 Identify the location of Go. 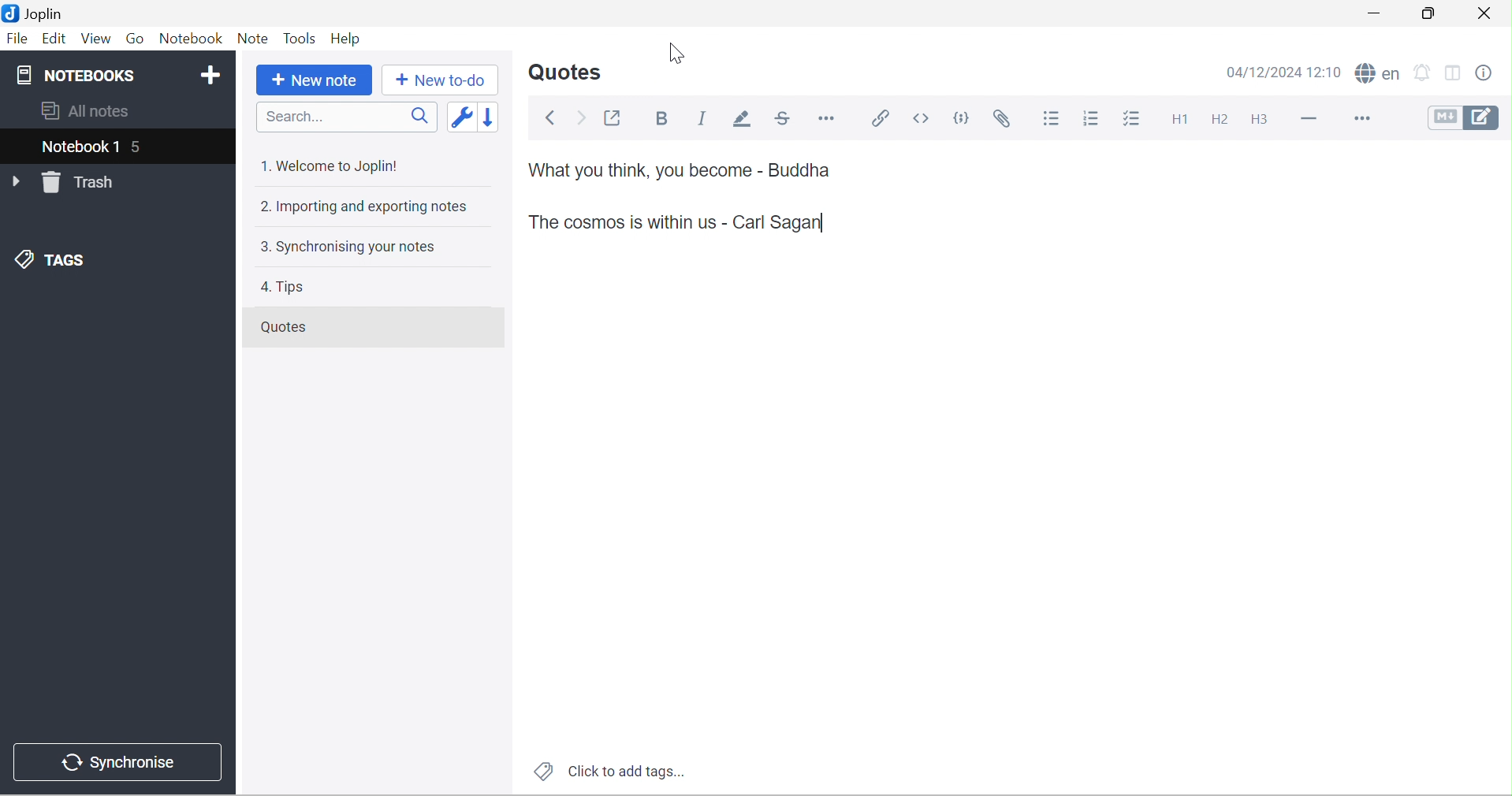
(136, 38).